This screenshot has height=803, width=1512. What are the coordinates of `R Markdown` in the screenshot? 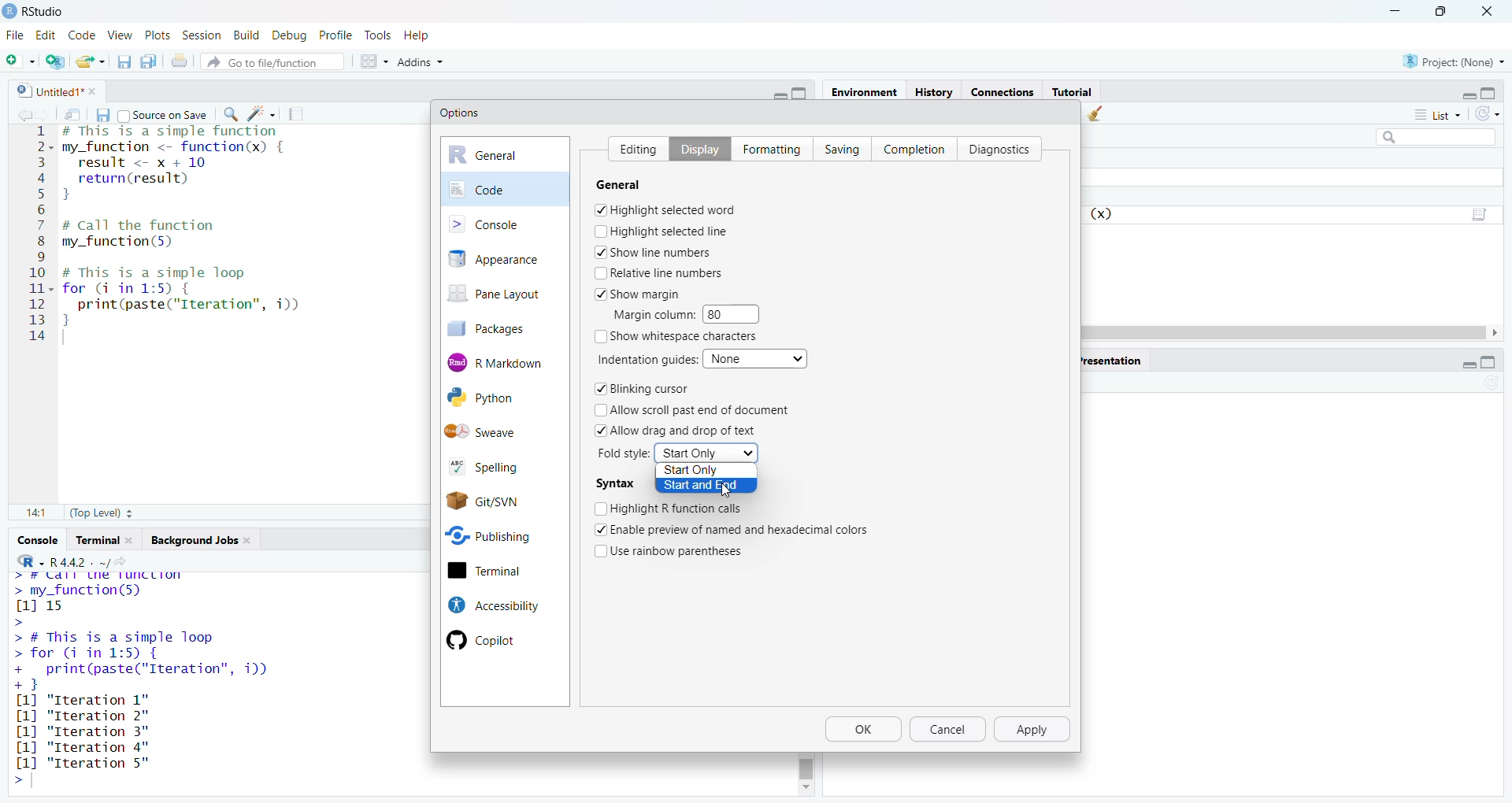 It's located at (506, 361).